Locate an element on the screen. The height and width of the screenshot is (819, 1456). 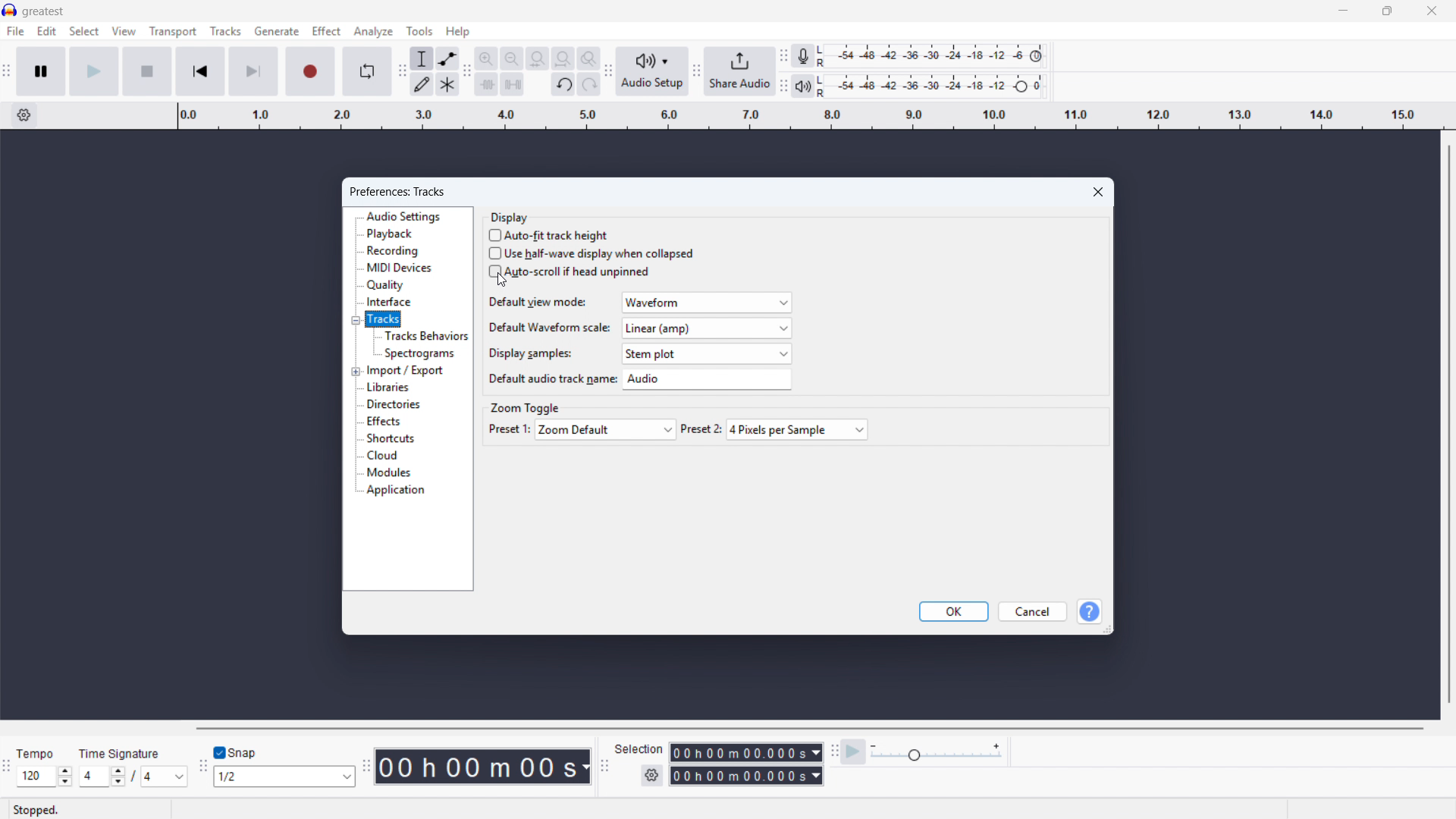
Playback level  is located at coordinates (936, 85).